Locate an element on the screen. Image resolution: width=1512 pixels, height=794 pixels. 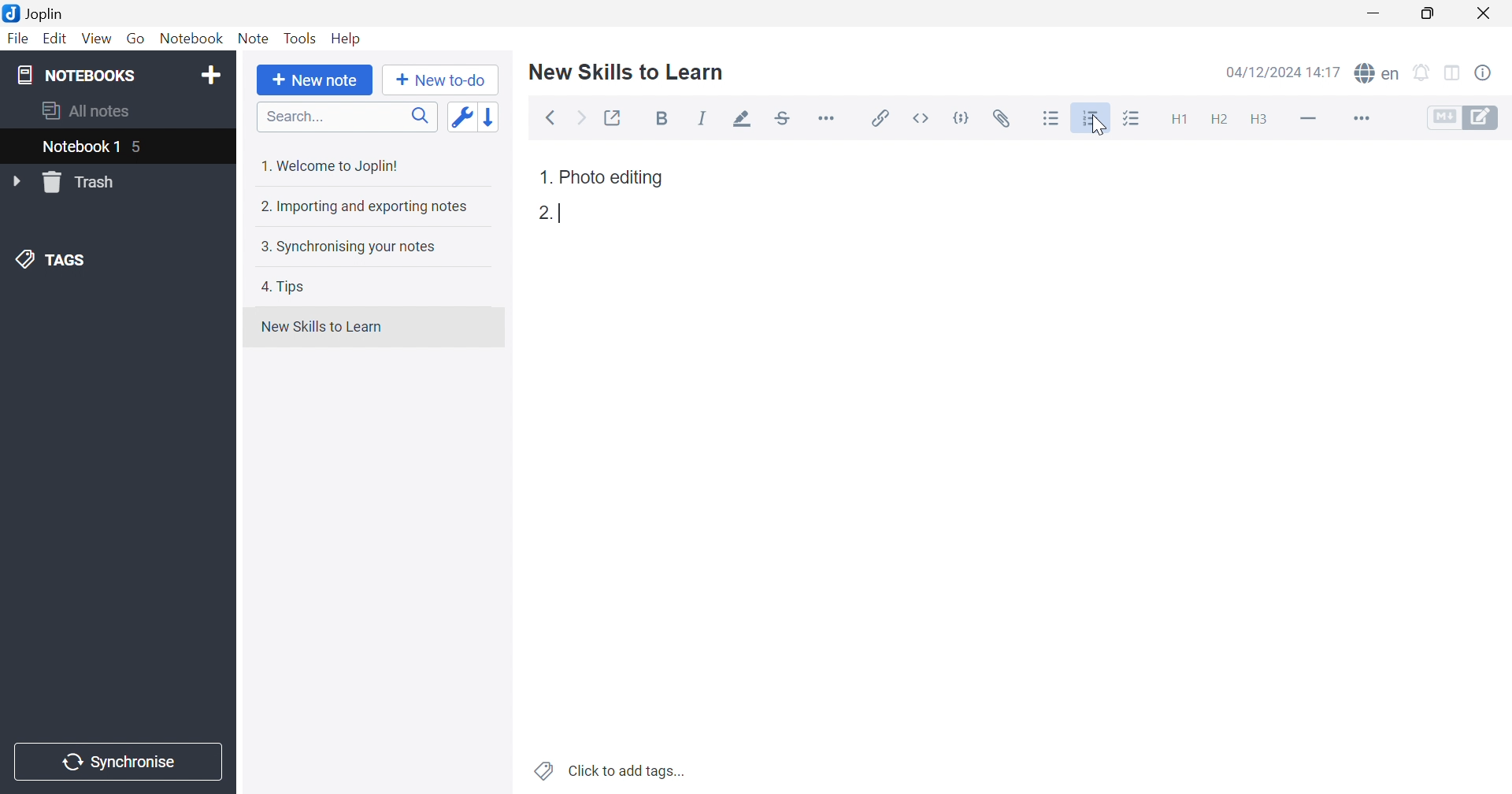
Forward is located at coordinates (582, 120).